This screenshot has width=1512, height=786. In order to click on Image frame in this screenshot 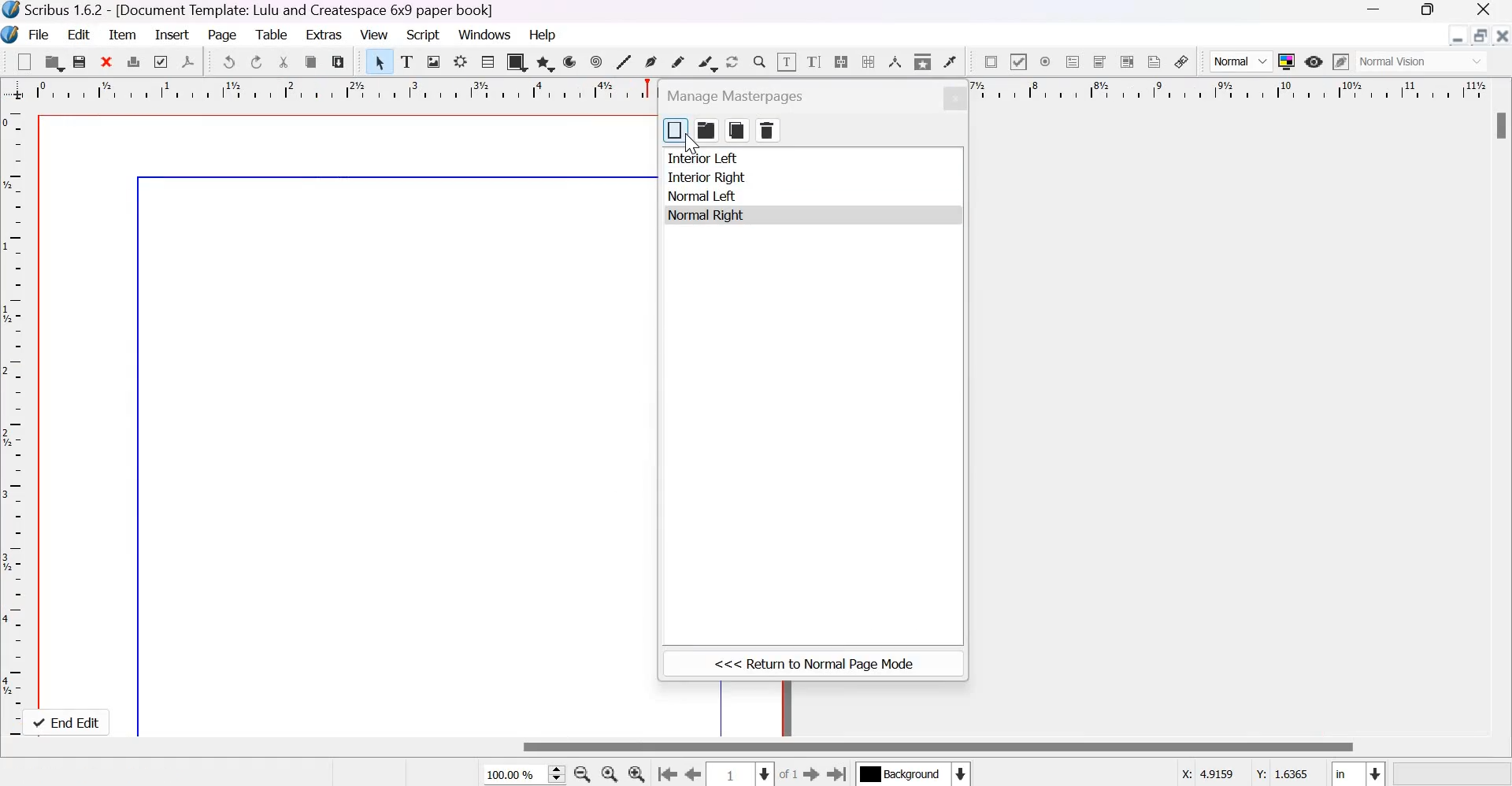, I will do `click(434, 63)`.